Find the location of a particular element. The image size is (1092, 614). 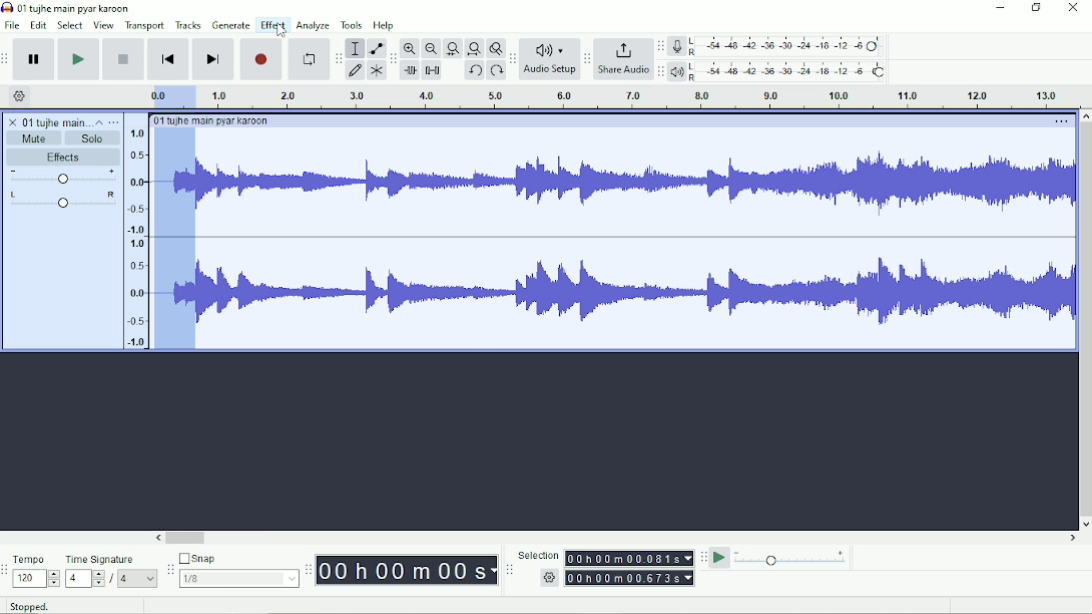

Audacity share audio toolbar is located at coordinates (587, 60).